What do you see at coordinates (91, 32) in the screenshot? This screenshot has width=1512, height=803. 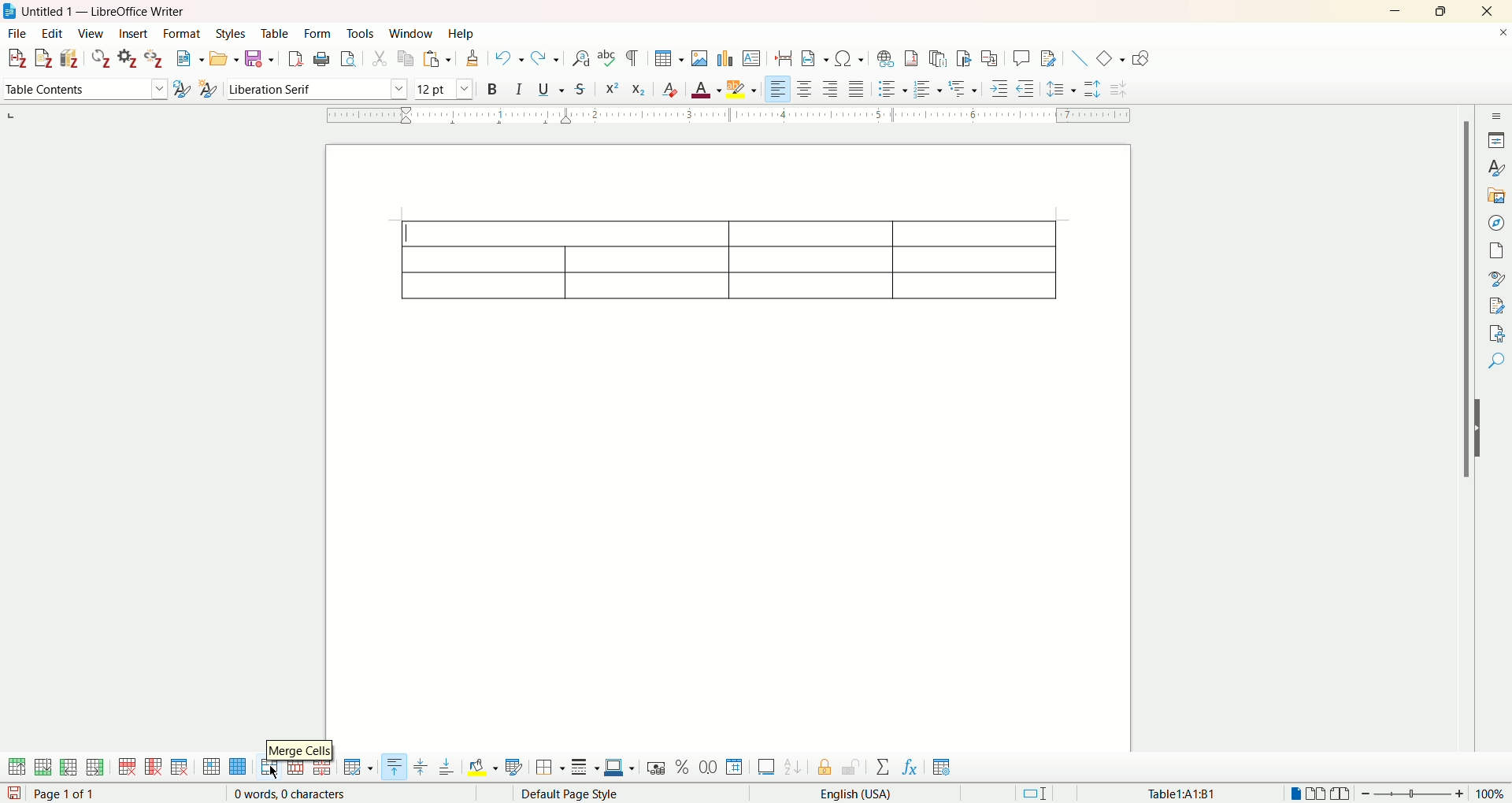 I see `view` at bounding box center [91, 32].